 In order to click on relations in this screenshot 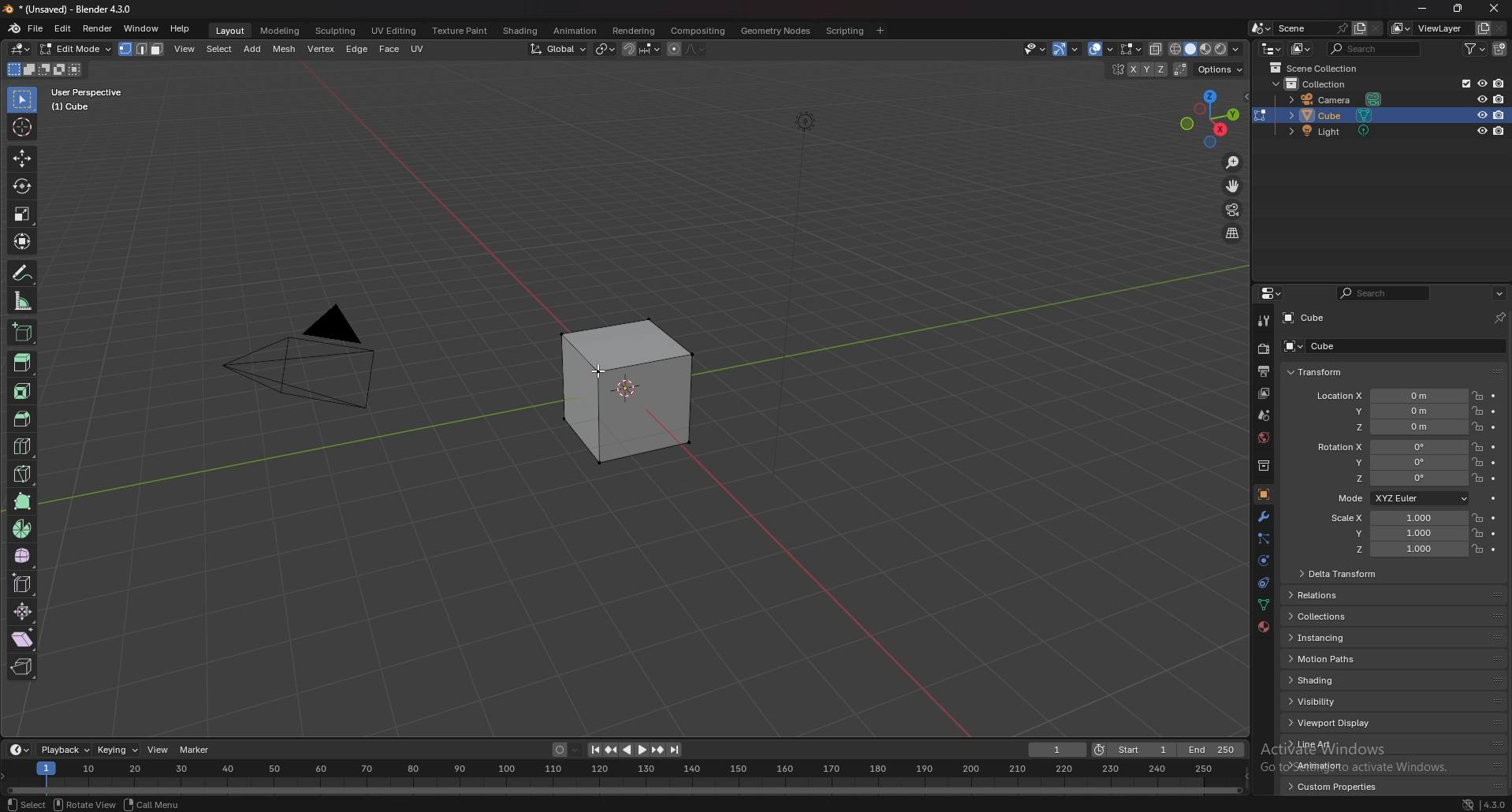, I will do `click(1353, 596)`.